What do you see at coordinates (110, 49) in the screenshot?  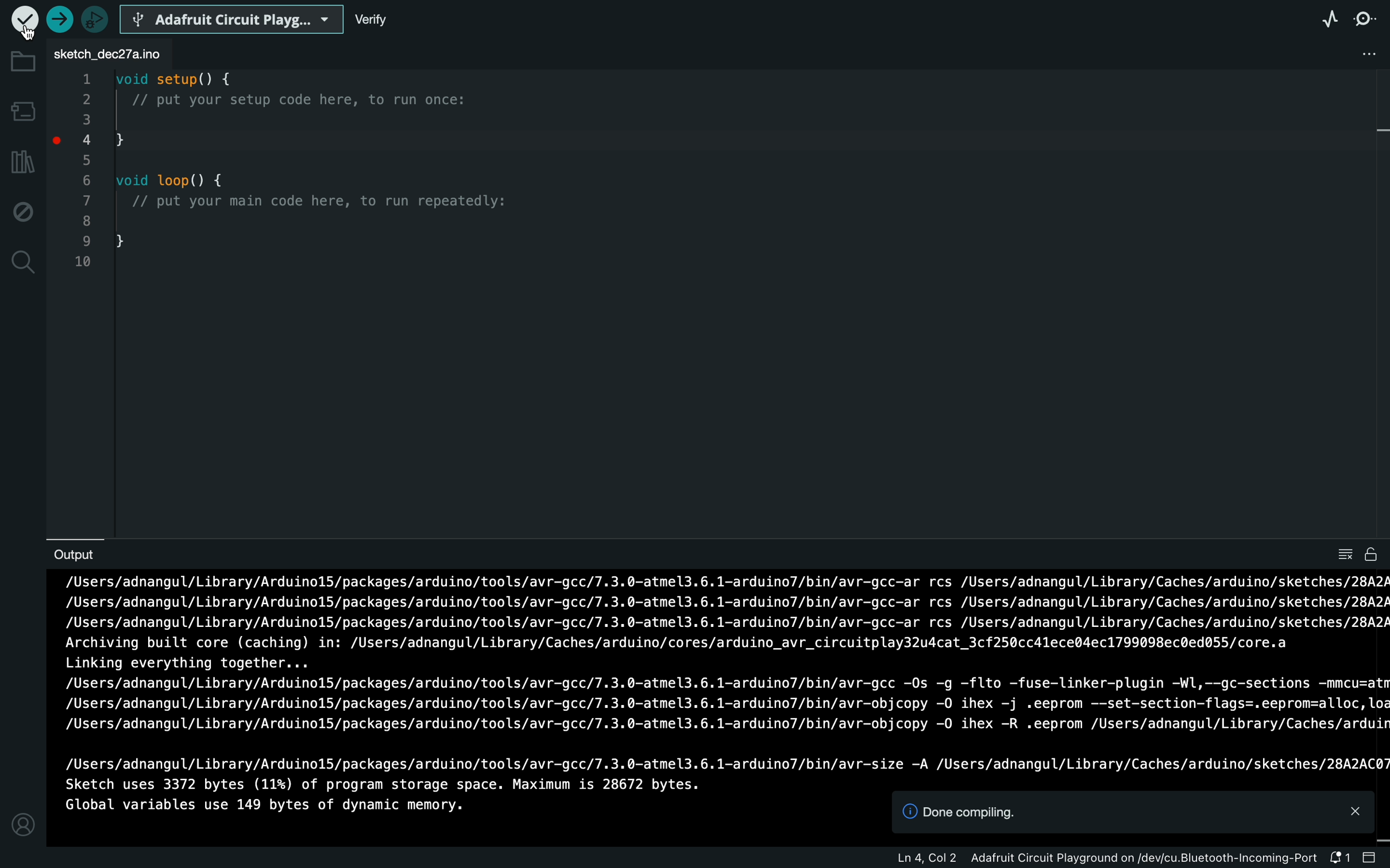 I see `file tab` at bounding box center [110, 49].